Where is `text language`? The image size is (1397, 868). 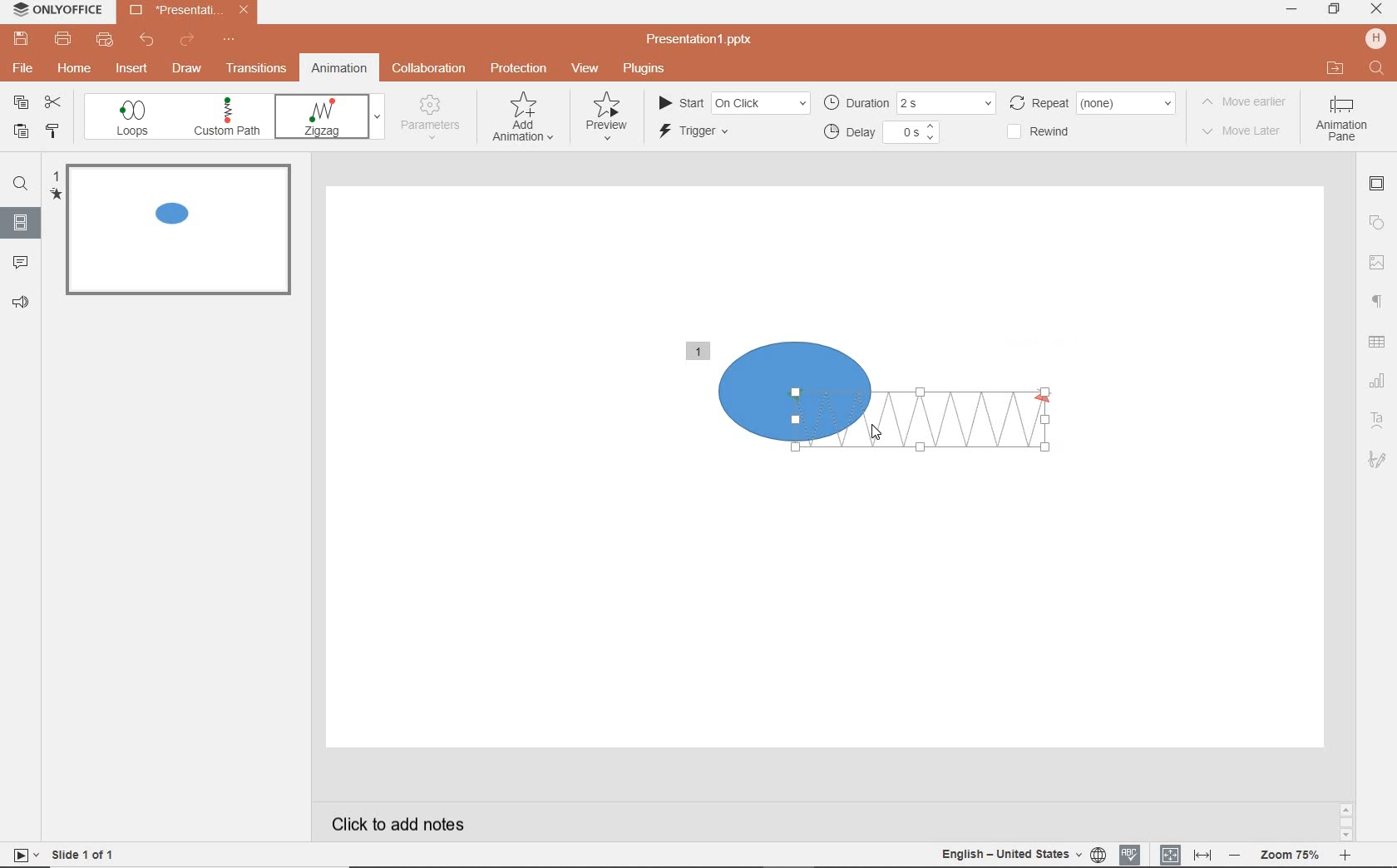 text language is located at coordinates (1019, 856).